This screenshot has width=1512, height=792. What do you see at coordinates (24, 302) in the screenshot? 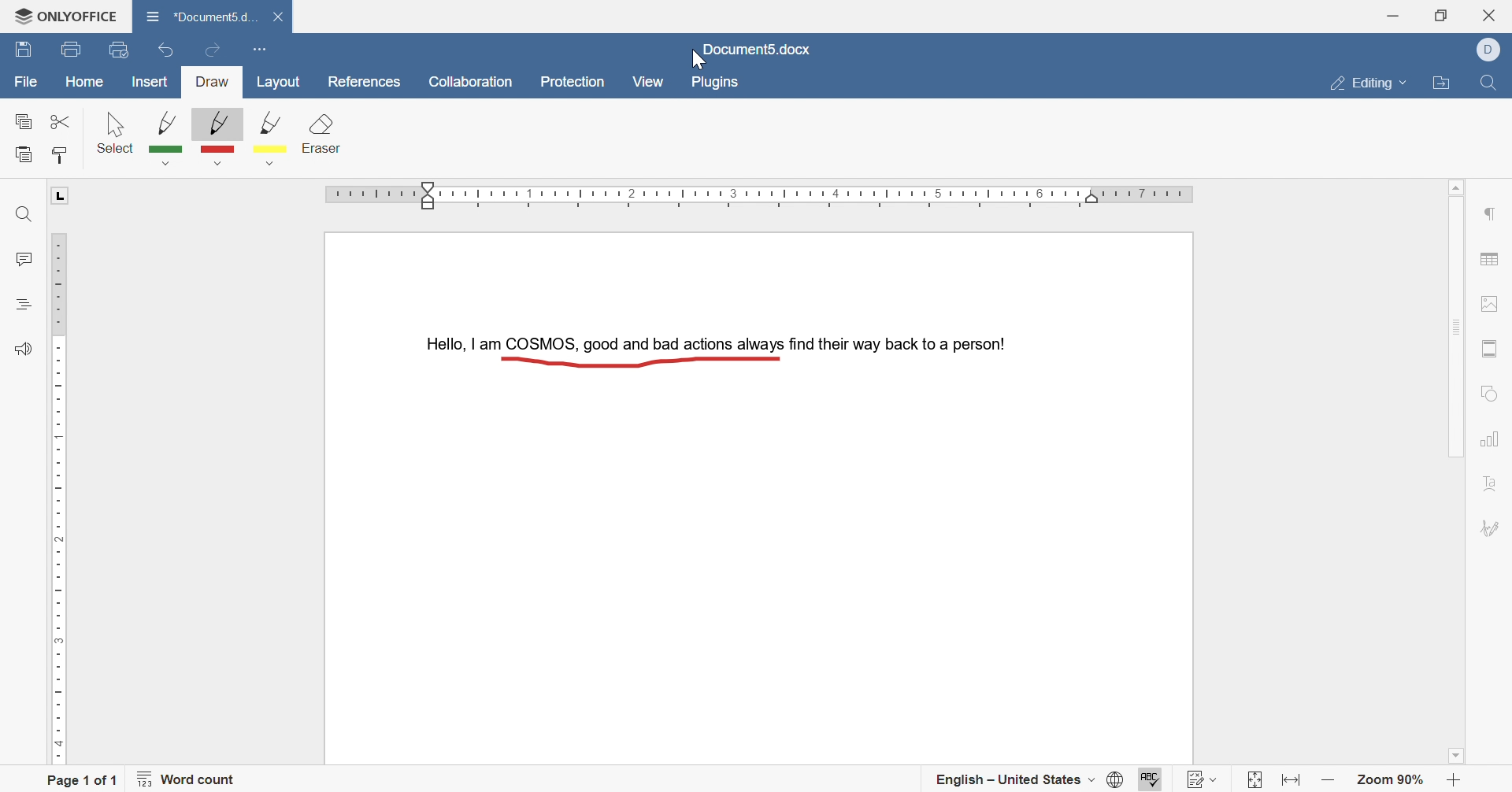
I see `headings` at bounding box center [24, 302].